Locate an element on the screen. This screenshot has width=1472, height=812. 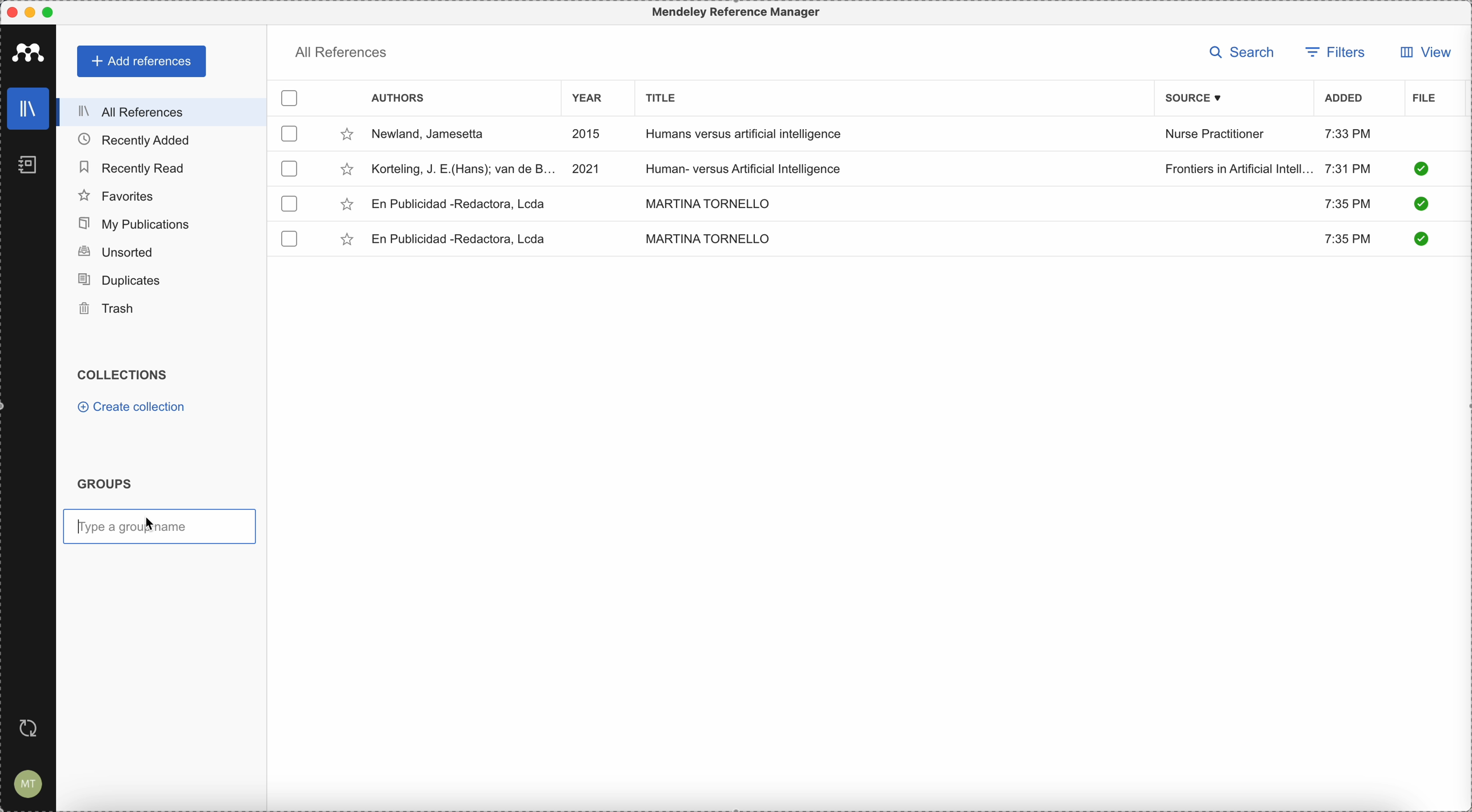
all references is located at coordinates (158, 112).